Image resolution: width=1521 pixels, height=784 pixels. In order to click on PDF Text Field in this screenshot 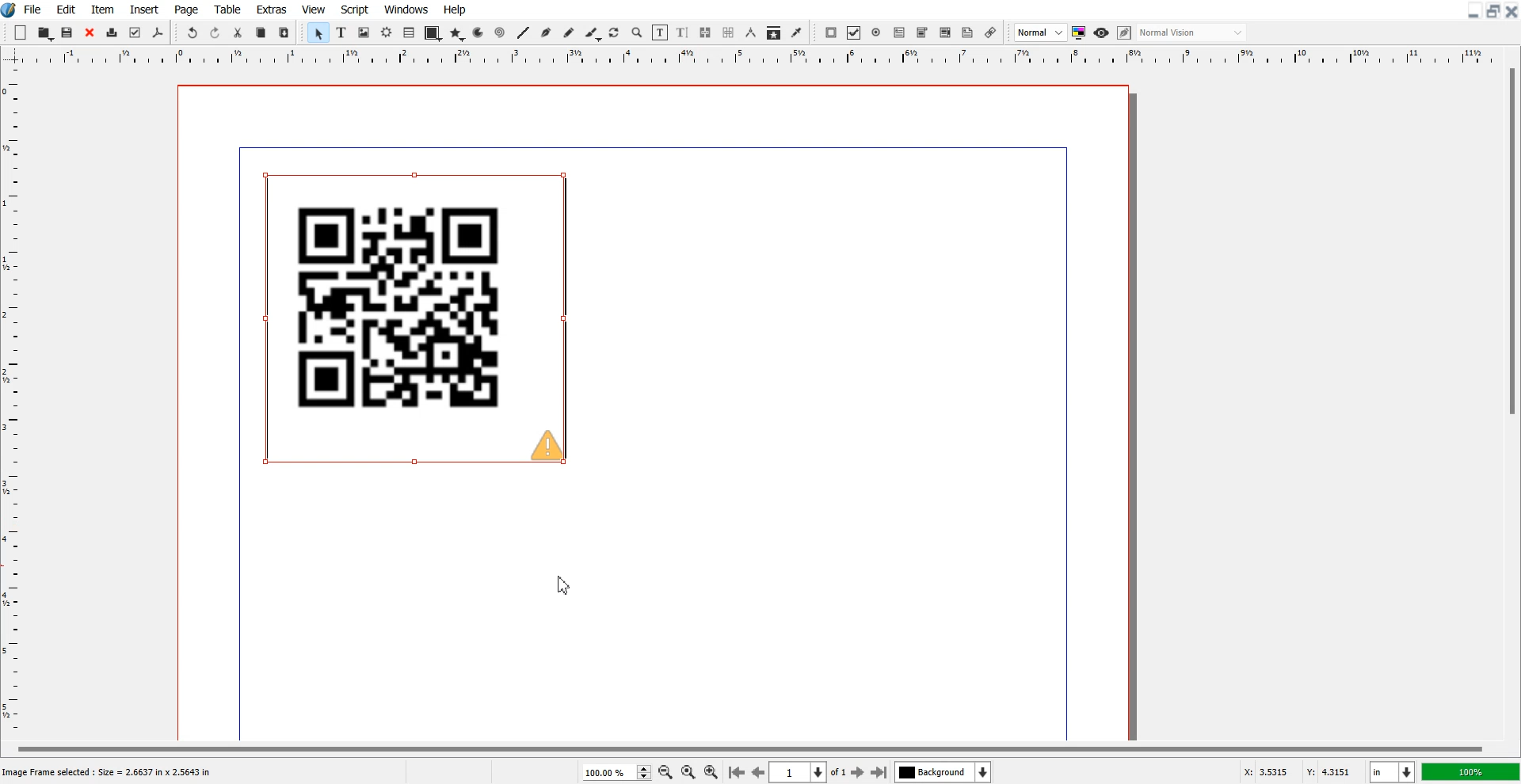, I will do `click(899, 32)`.